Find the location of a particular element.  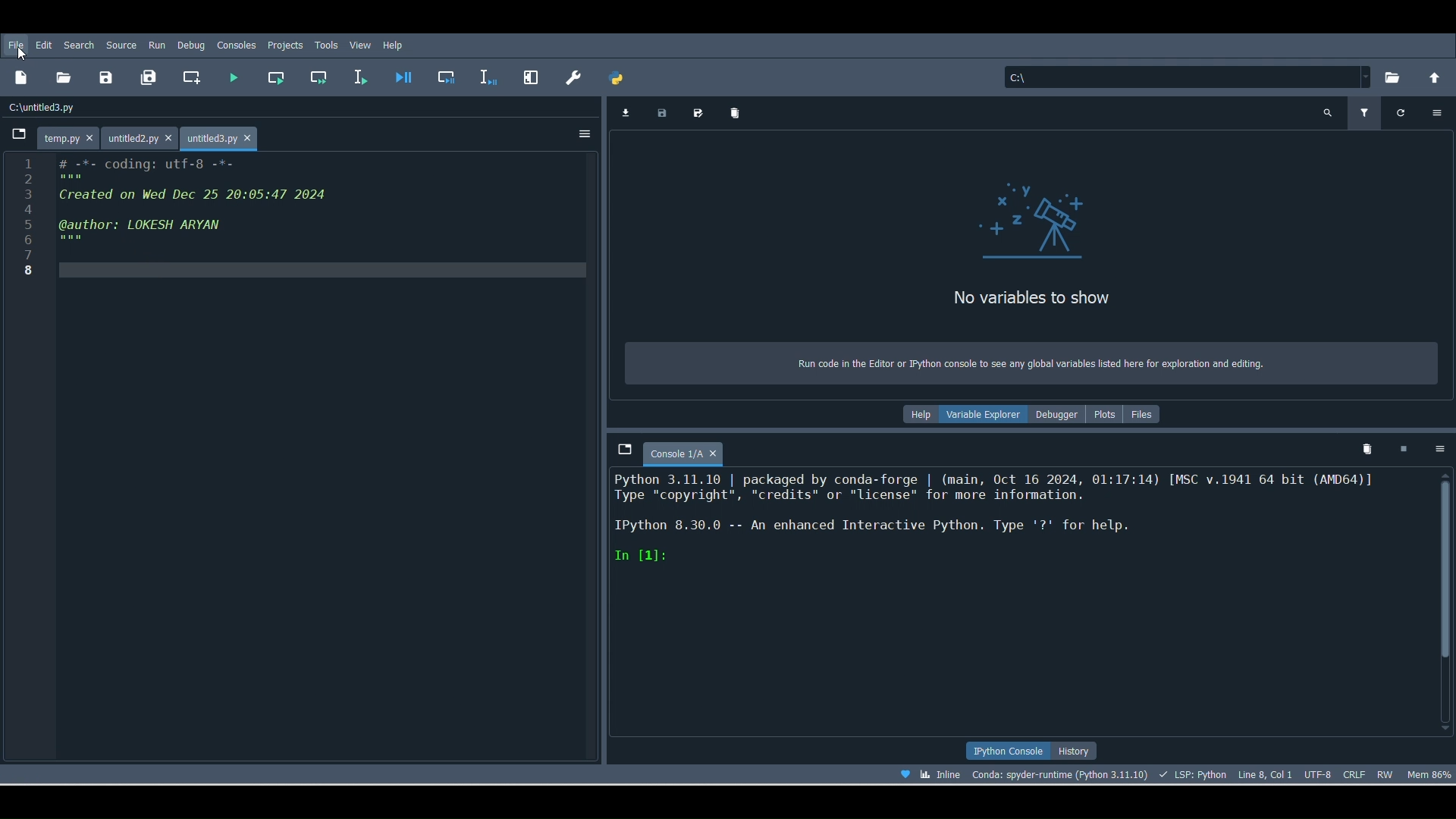

Run current cell (Ctrl + Return) is located at coordinates (279, 77).